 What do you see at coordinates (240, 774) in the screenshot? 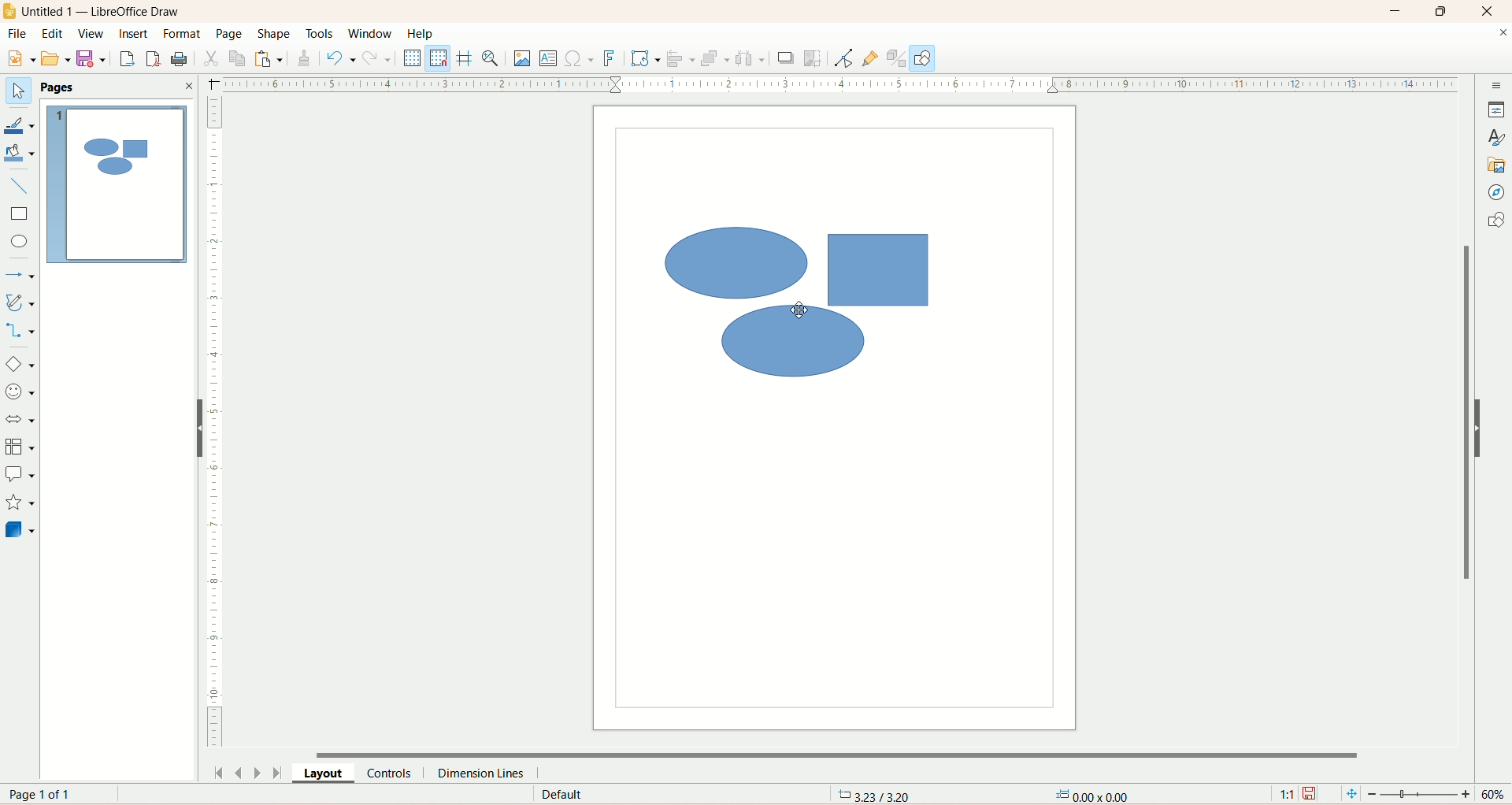
I see `previous` at bounding box center [240, 774].